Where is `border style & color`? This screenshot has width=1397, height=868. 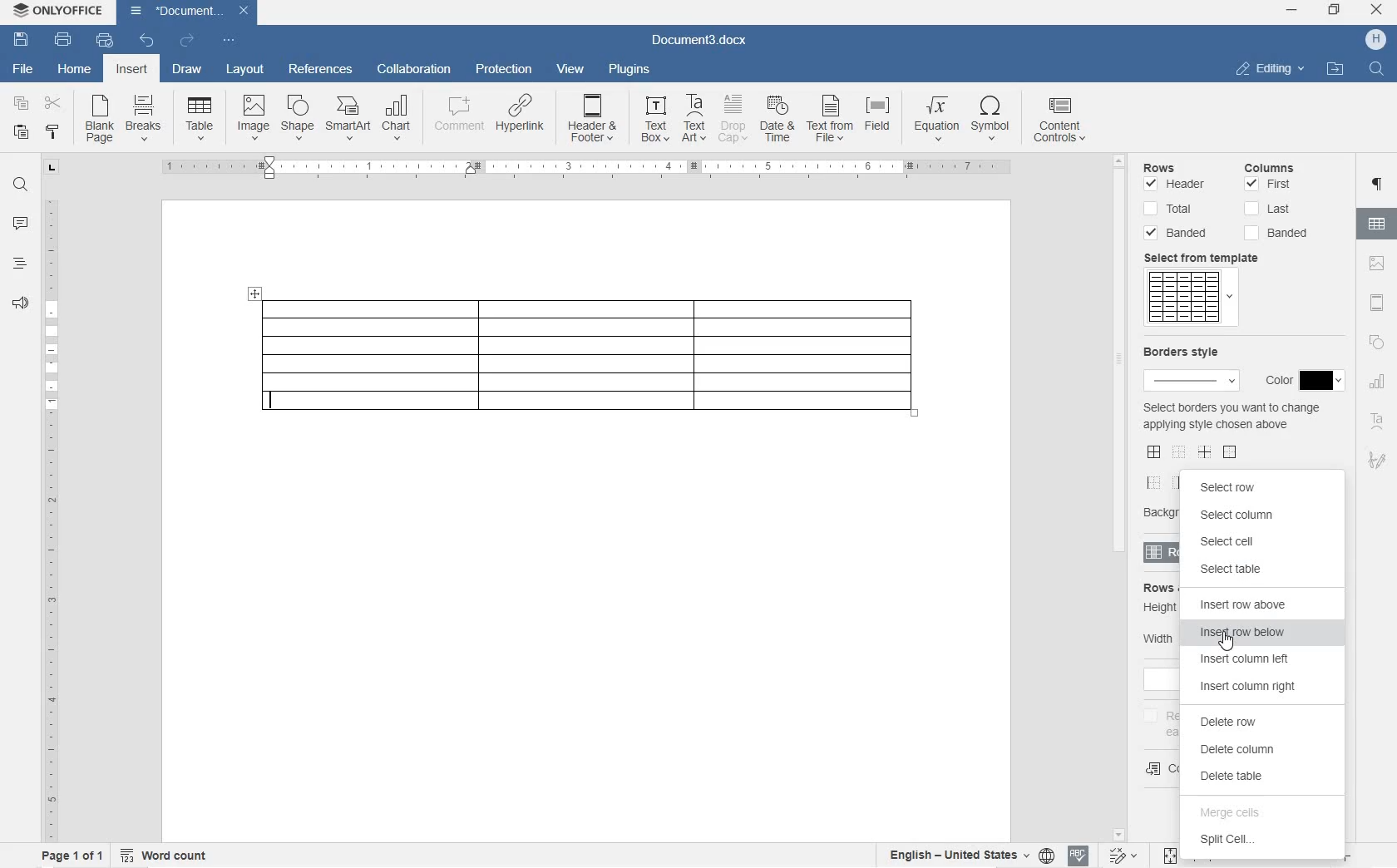 border style & color is located at coordinates (1188, 369).